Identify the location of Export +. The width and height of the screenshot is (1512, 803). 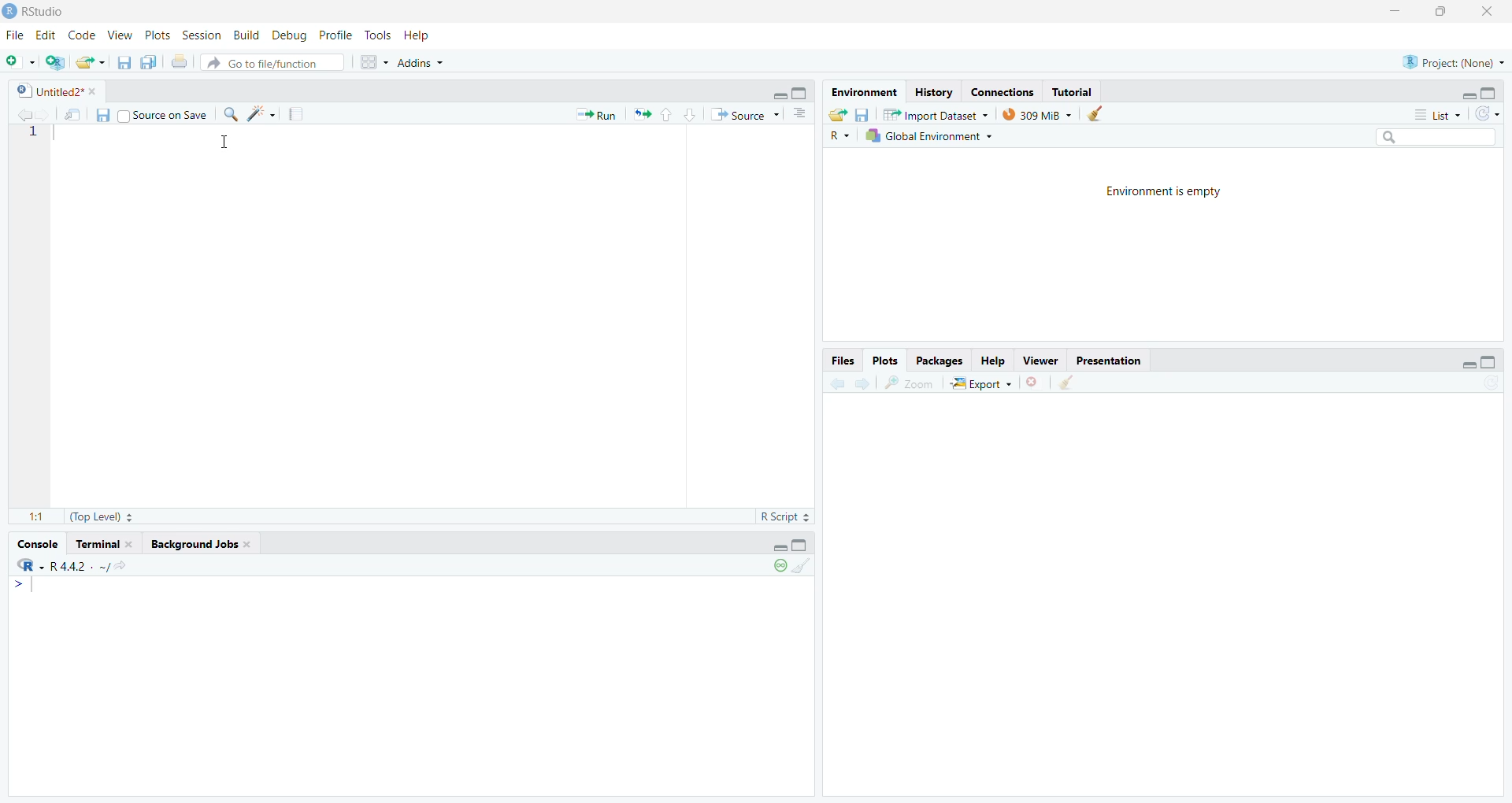
(980, 383).